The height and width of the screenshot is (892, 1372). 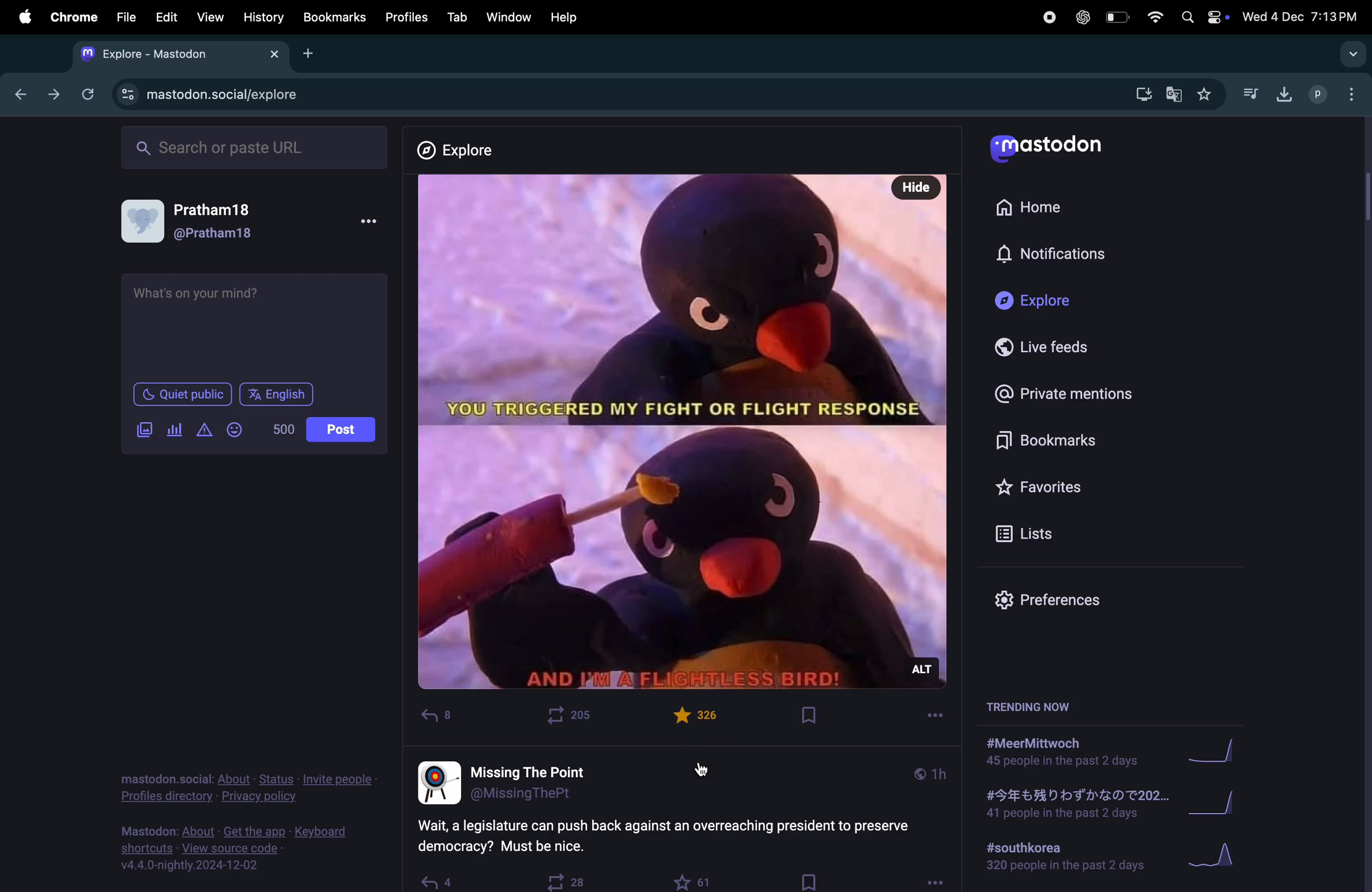 I want to click on chrome, so click(x=74, y=19).